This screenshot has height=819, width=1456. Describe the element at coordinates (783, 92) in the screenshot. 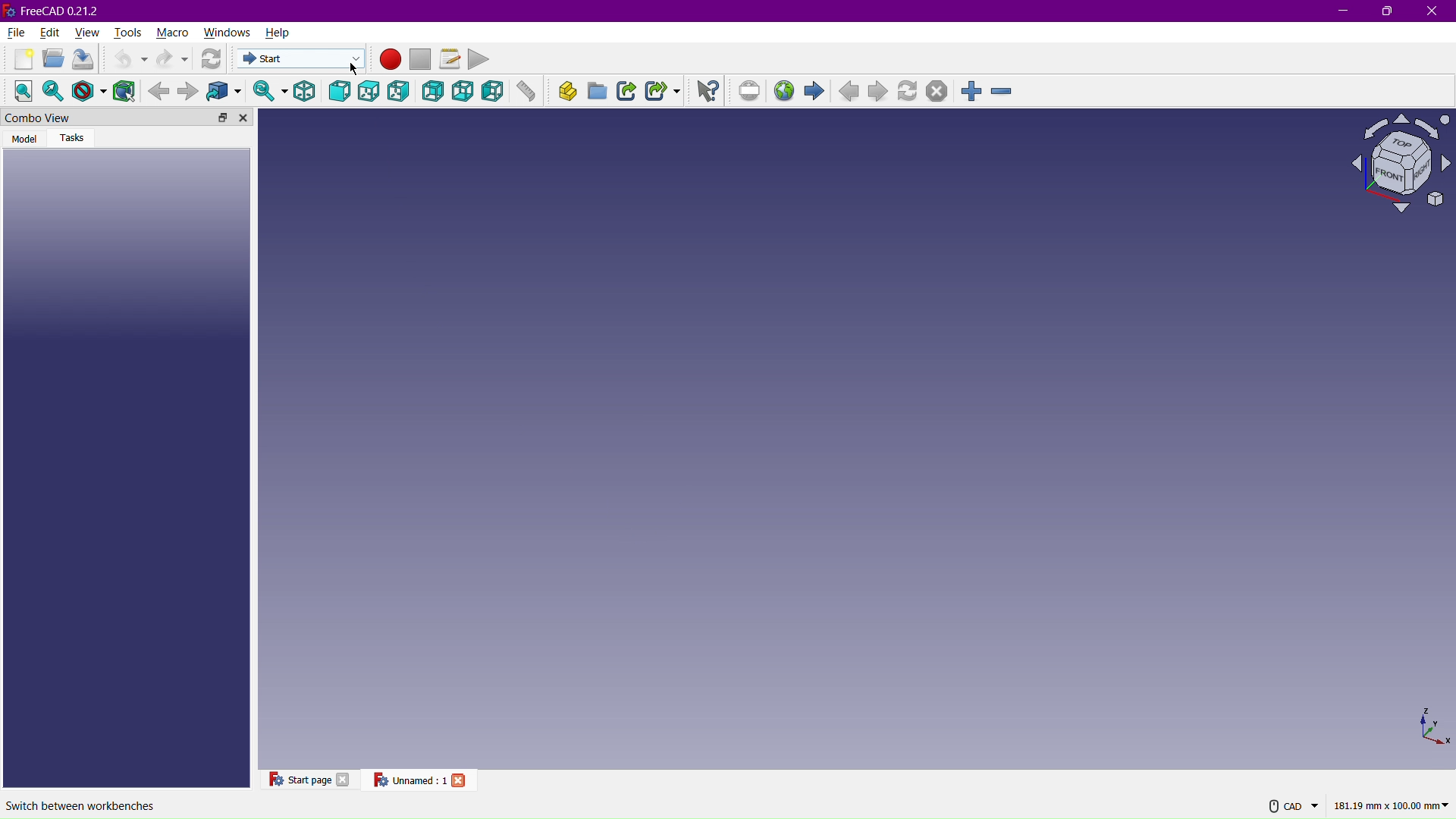

I see `Open website` at that location.